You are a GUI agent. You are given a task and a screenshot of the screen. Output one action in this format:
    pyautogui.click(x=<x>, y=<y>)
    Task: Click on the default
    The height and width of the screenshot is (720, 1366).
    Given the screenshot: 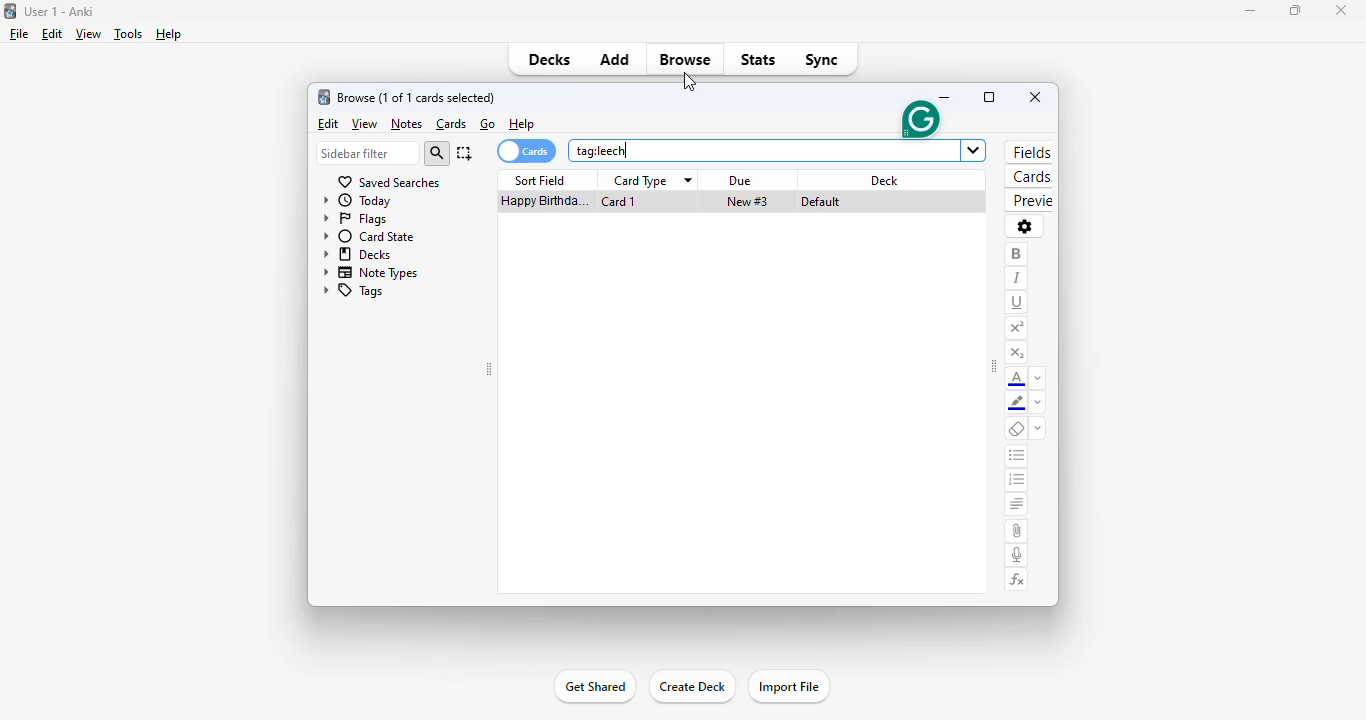 What is the action you would take?
    pyautogui.click(x=820, y=202)
    